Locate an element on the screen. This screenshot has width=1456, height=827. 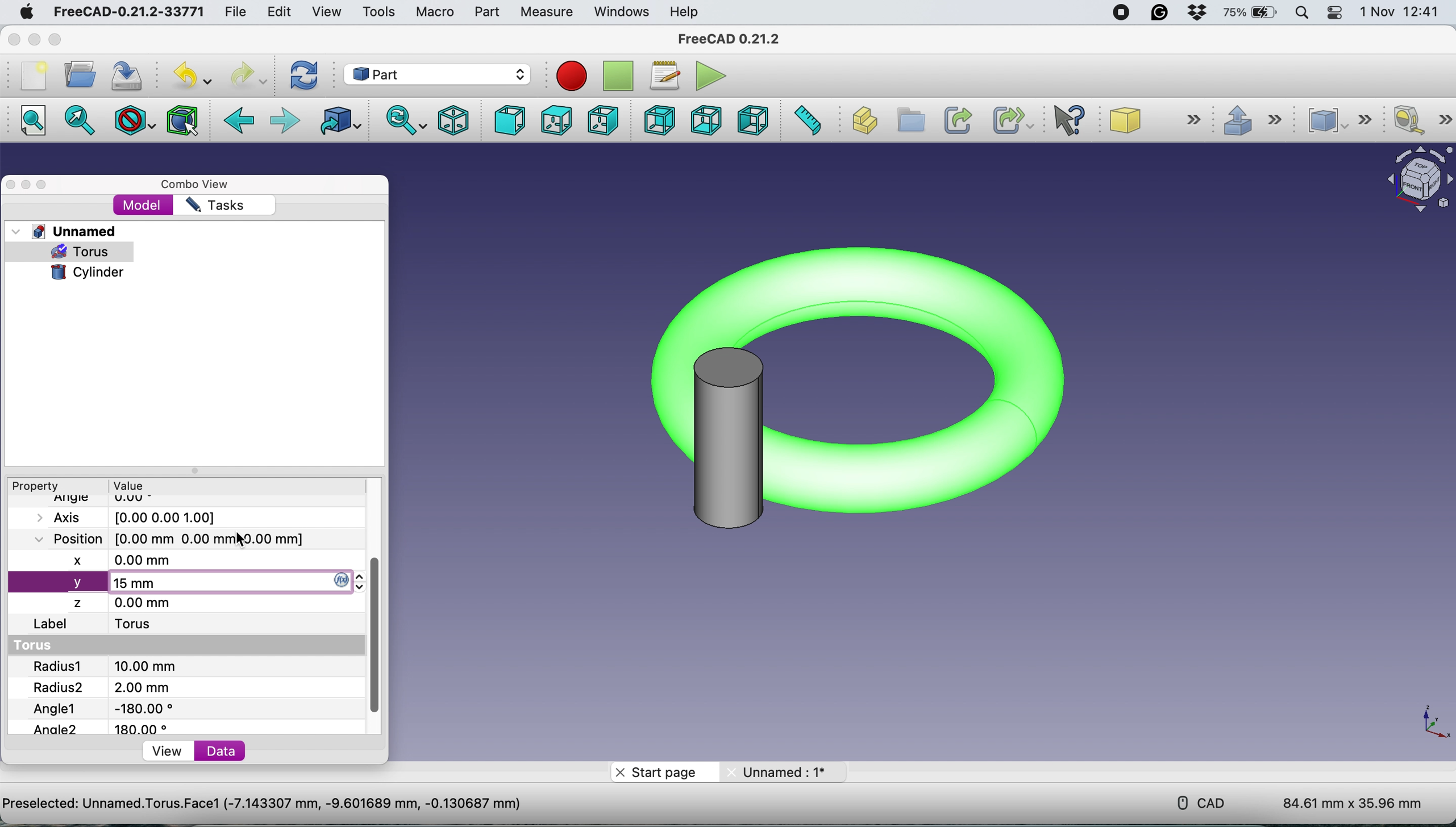
cad is located at coordinates (1203, 802).